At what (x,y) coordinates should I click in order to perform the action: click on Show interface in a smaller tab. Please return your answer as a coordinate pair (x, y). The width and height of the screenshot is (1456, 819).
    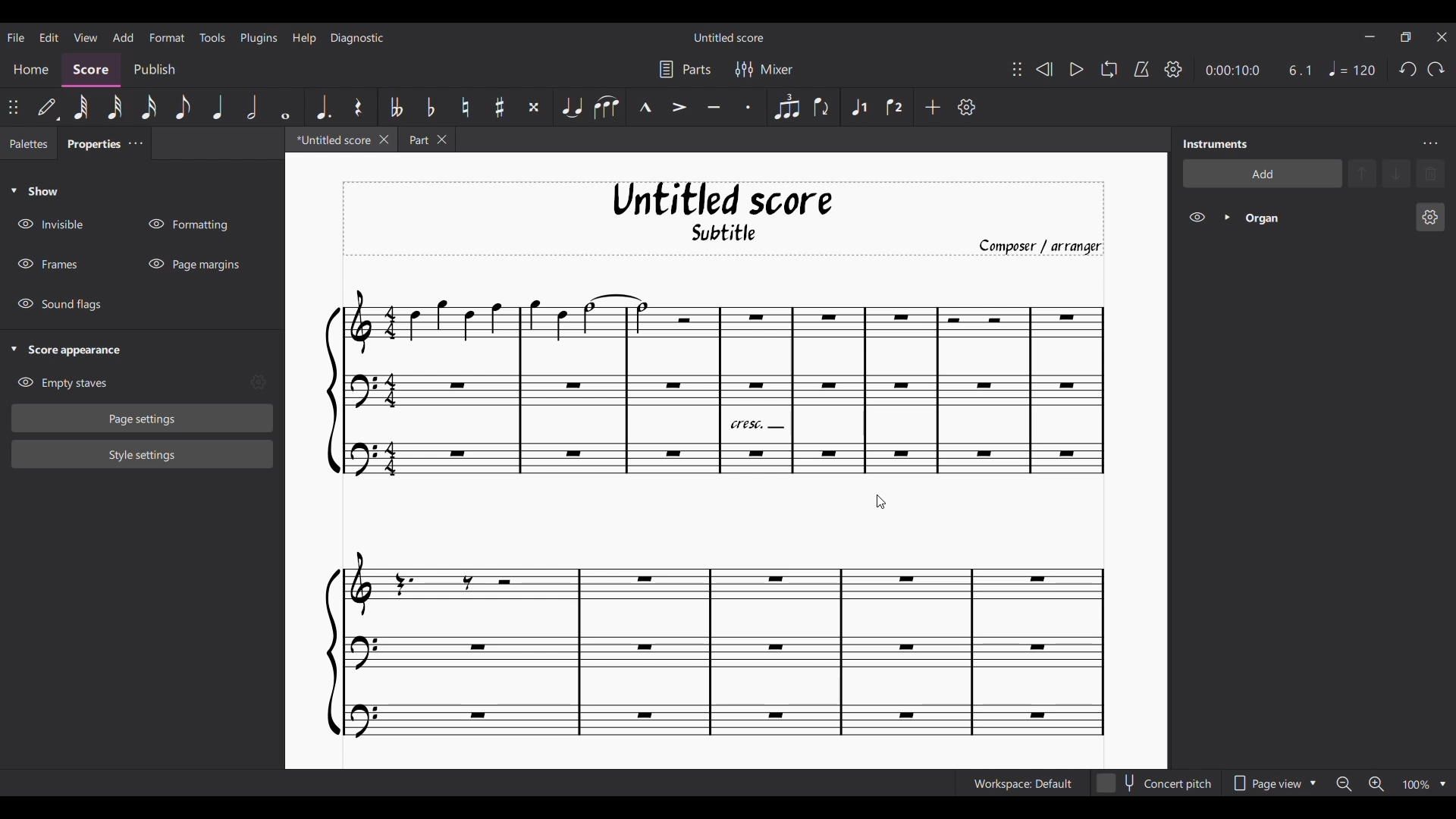
    Looking at the image, I should click on (1406, 37).